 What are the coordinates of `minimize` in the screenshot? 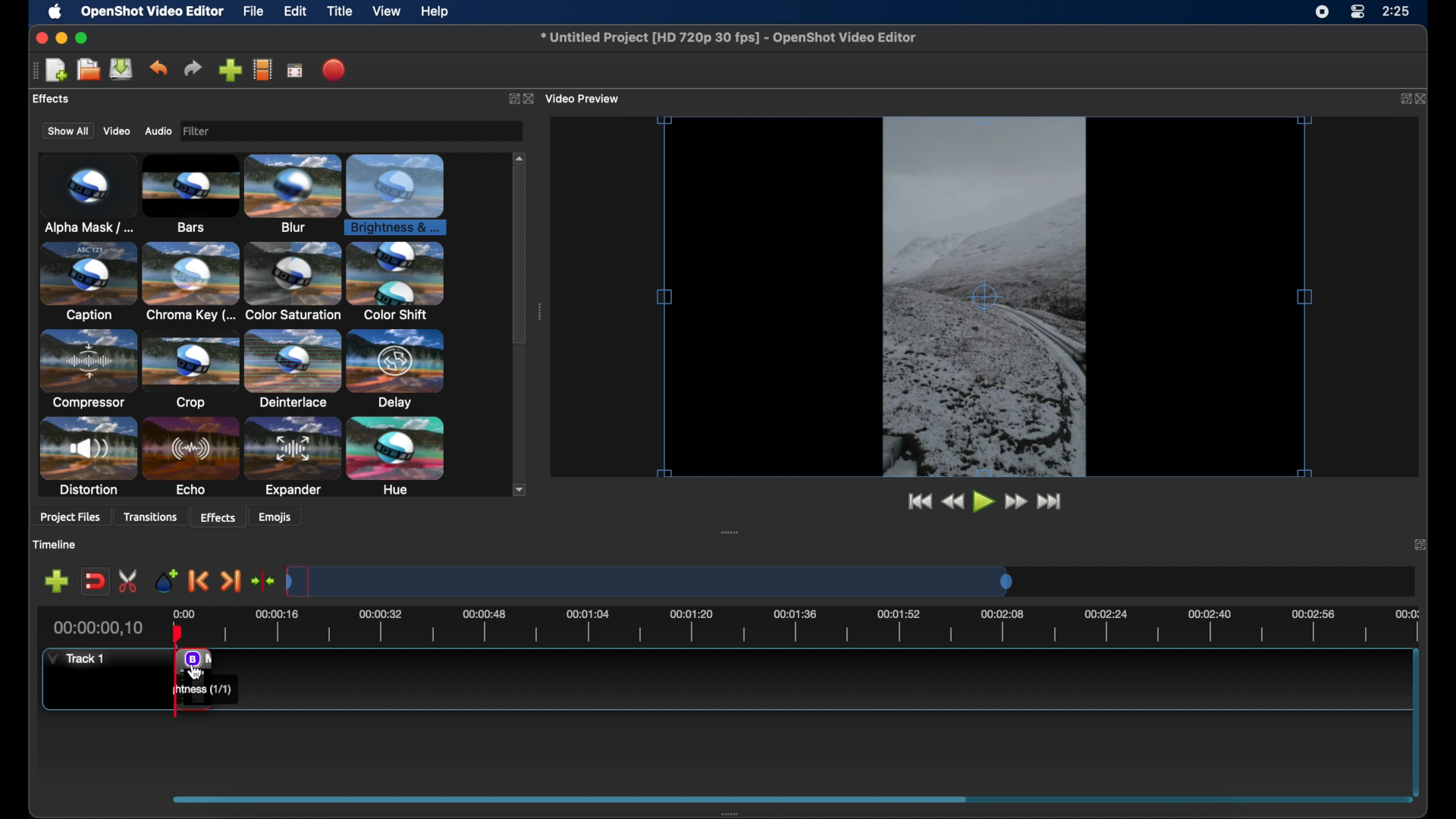 It's located at (62, 37).